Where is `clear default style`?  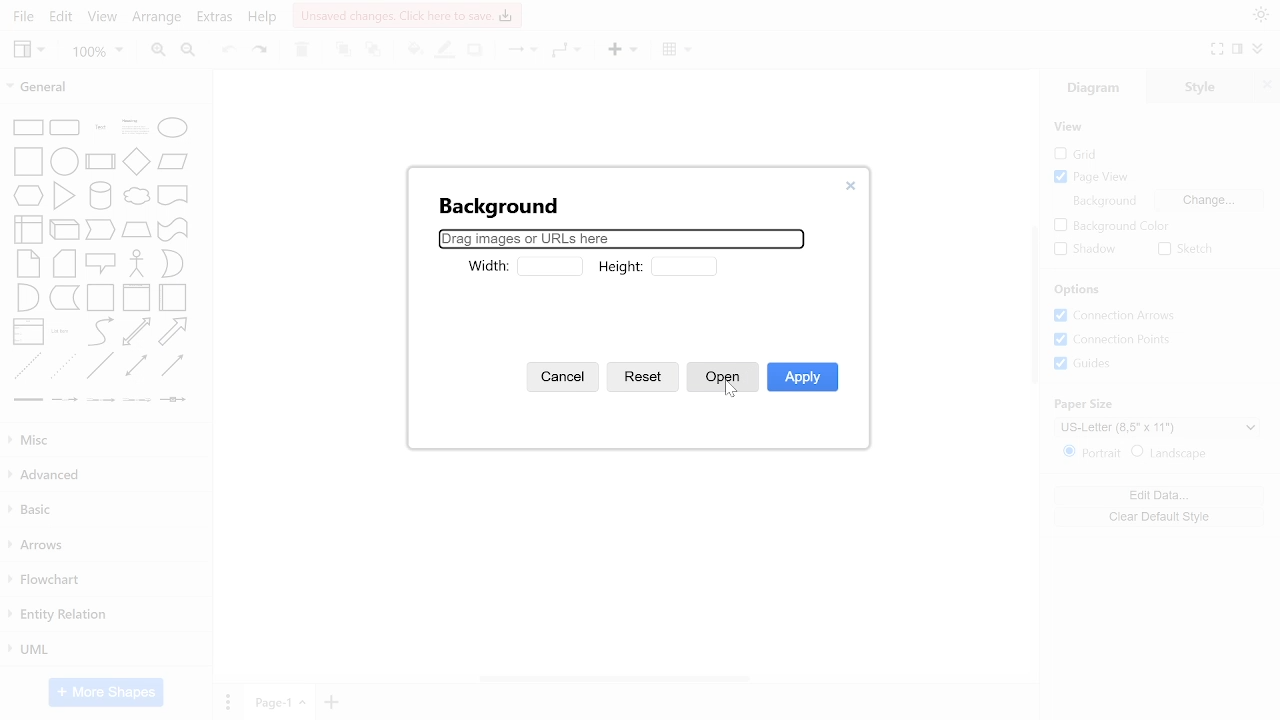 clear default style is located at coordinates (1162, 514).